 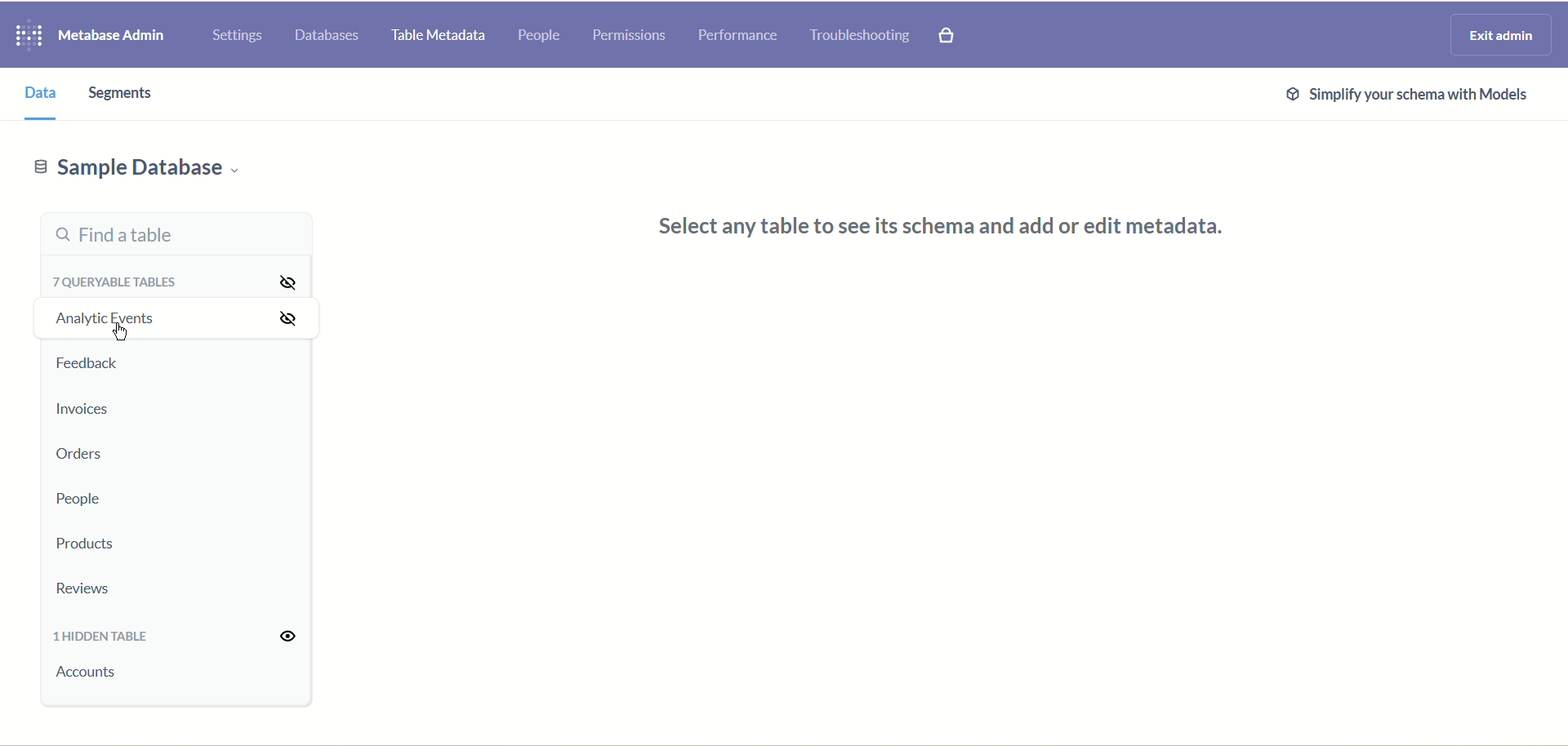 What do you see at coordinates (87, 545) in the screenshot?
I see `products` at bounding box center [87, 545].